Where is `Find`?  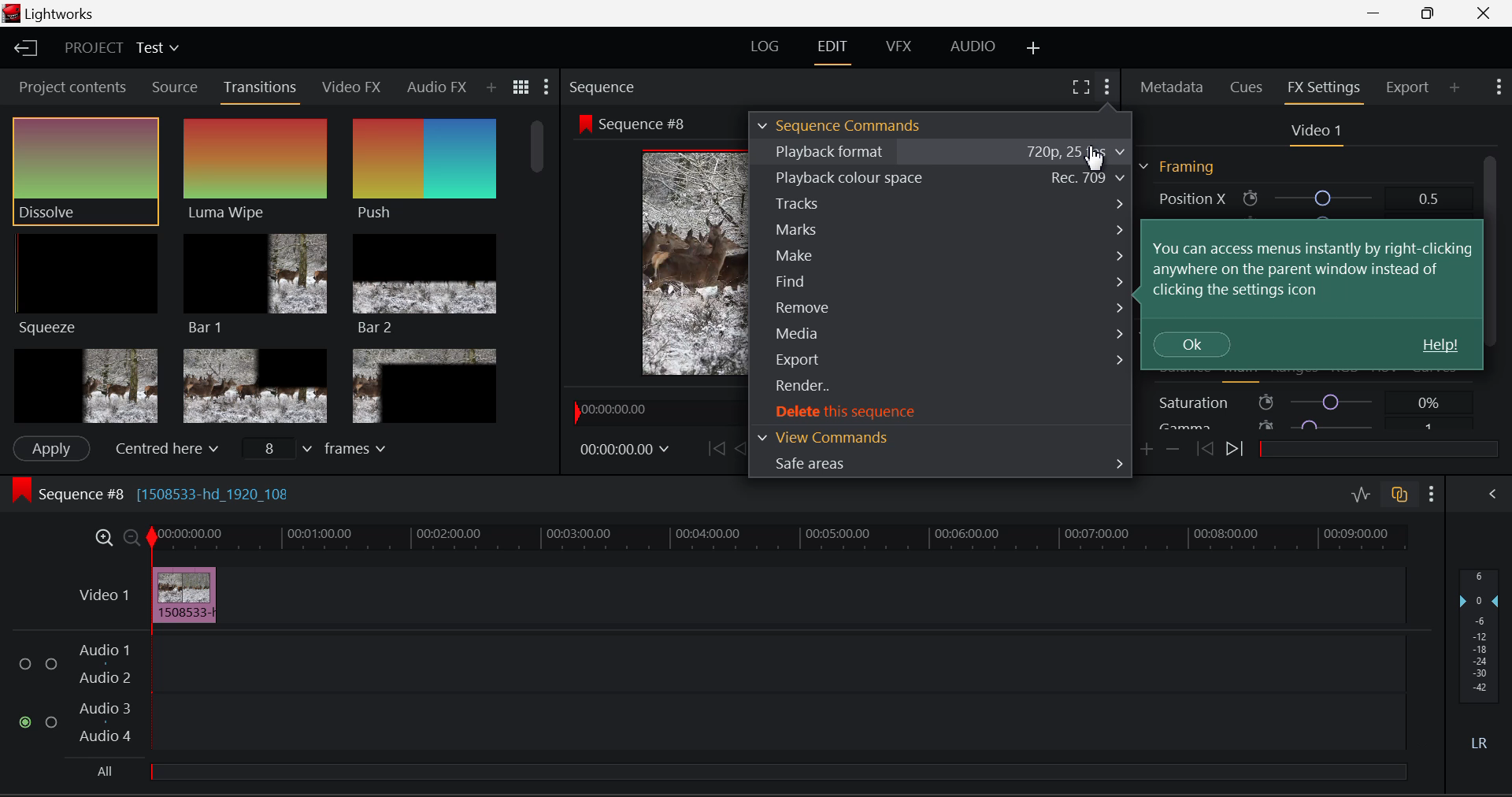
Find is located at coordinates (942, 280).